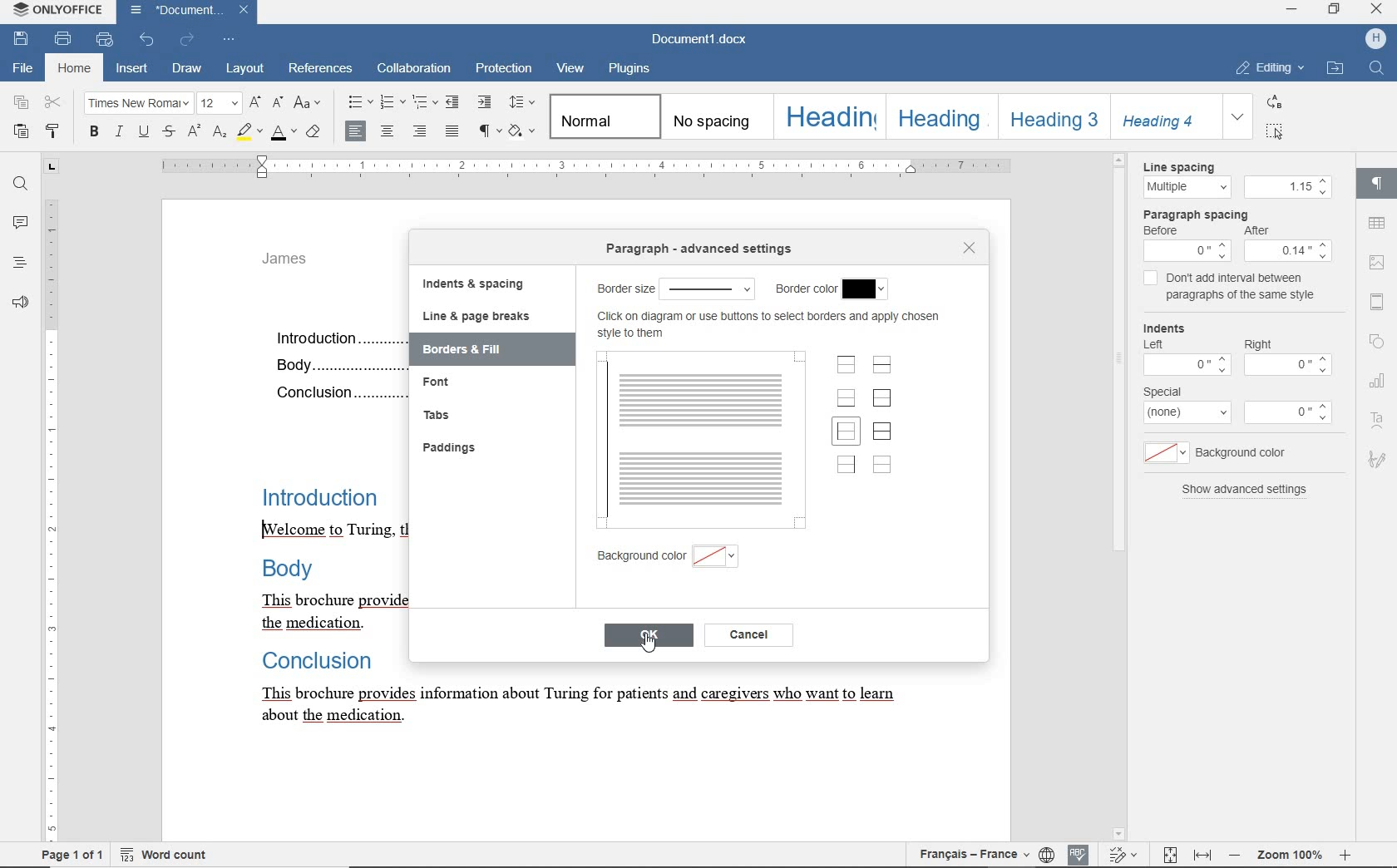 The width and height of the screenshot is (1397, 868). Describe the element at coordinates (773, 325) in the screenshot. I see `Click on diagram or use buttons to select borders and apply chosen
style to them` at that location.